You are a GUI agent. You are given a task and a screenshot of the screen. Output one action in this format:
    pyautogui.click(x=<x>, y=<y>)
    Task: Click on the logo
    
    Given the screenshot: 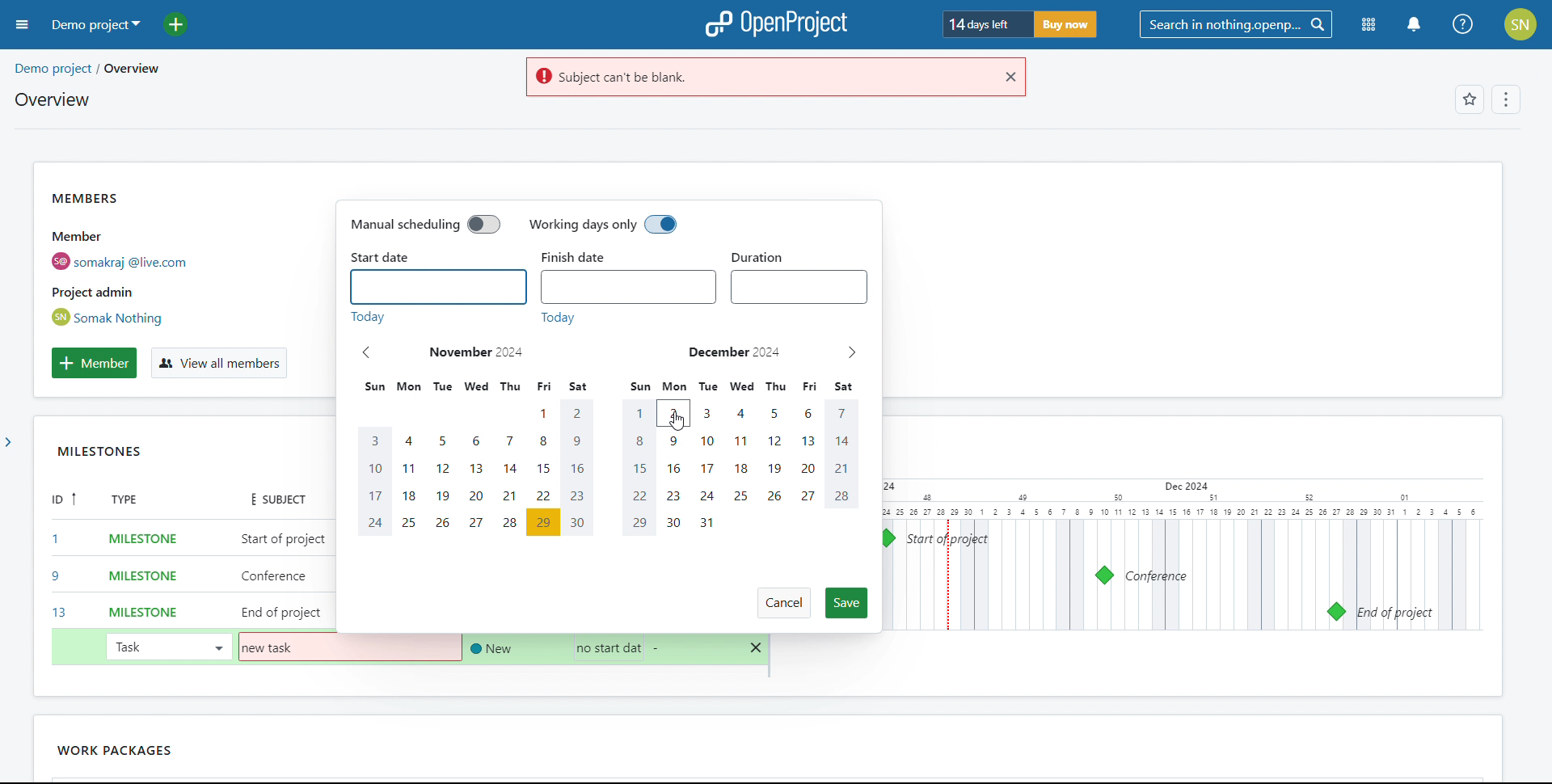 What is the action you would take?
    pyautogui.click(x=776, y=24)
    